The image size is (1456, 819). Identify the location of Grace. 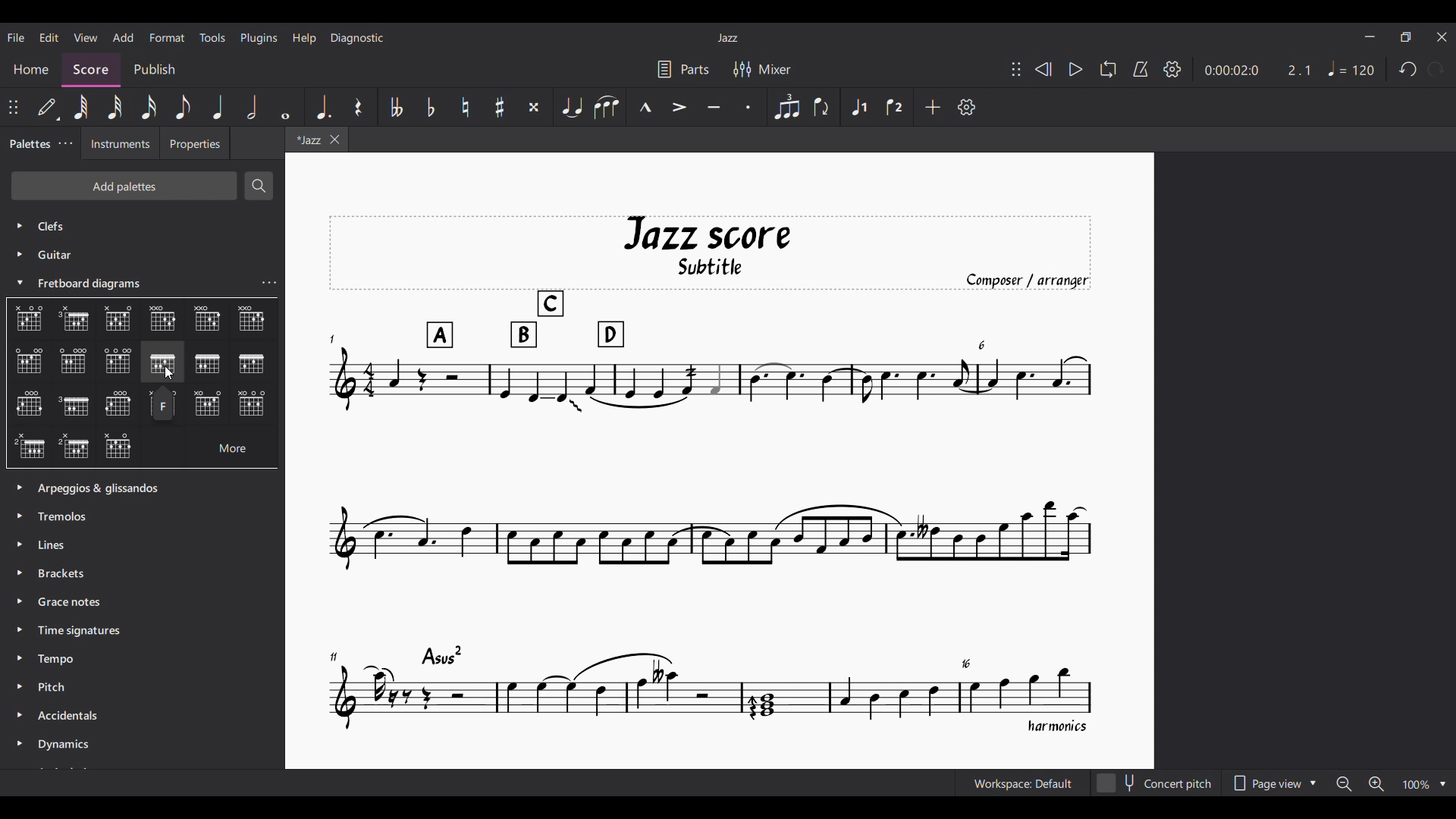
(72, 604).